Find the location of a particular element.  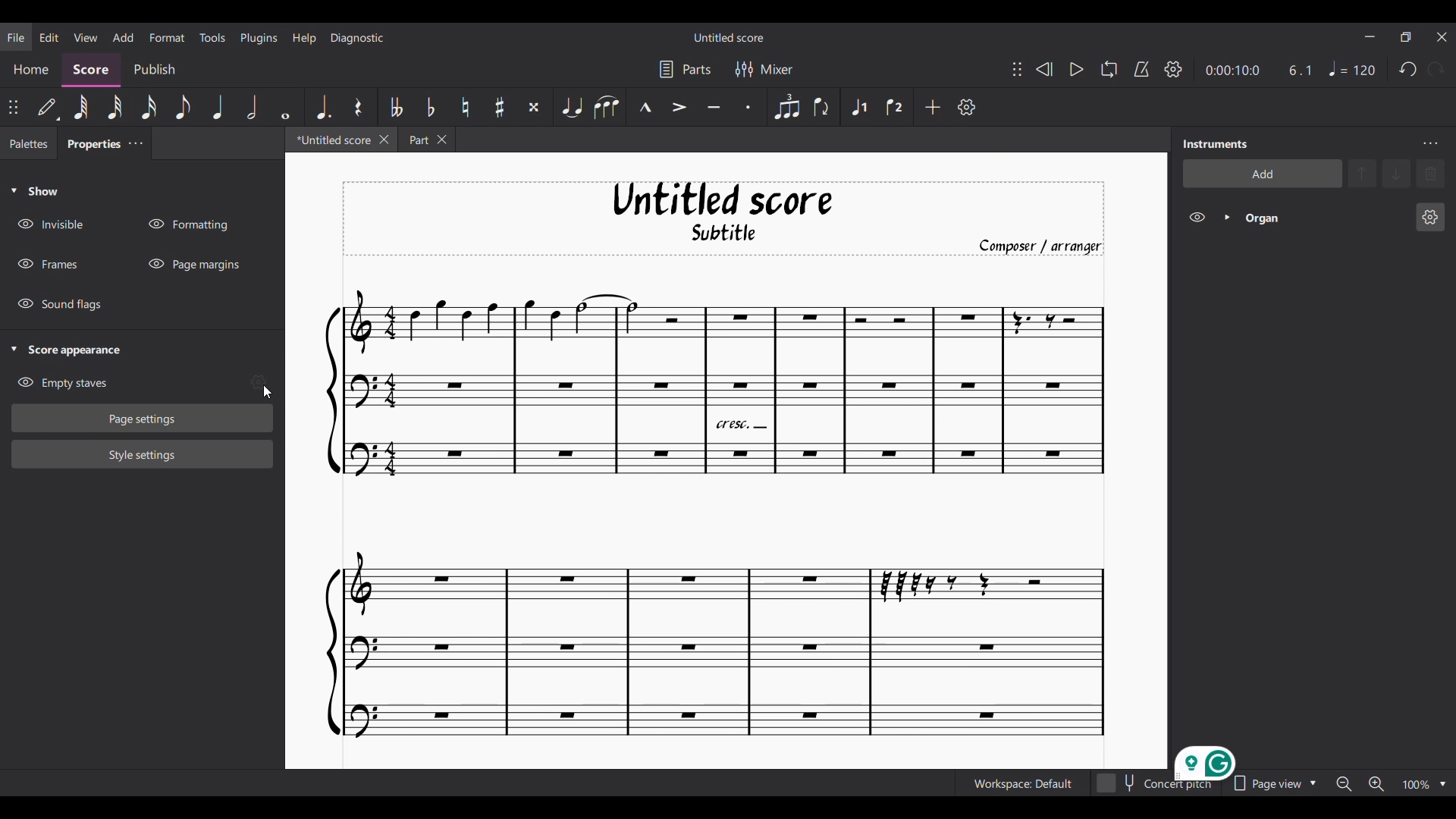

Delete selection is located at coordinates (1430, 174).